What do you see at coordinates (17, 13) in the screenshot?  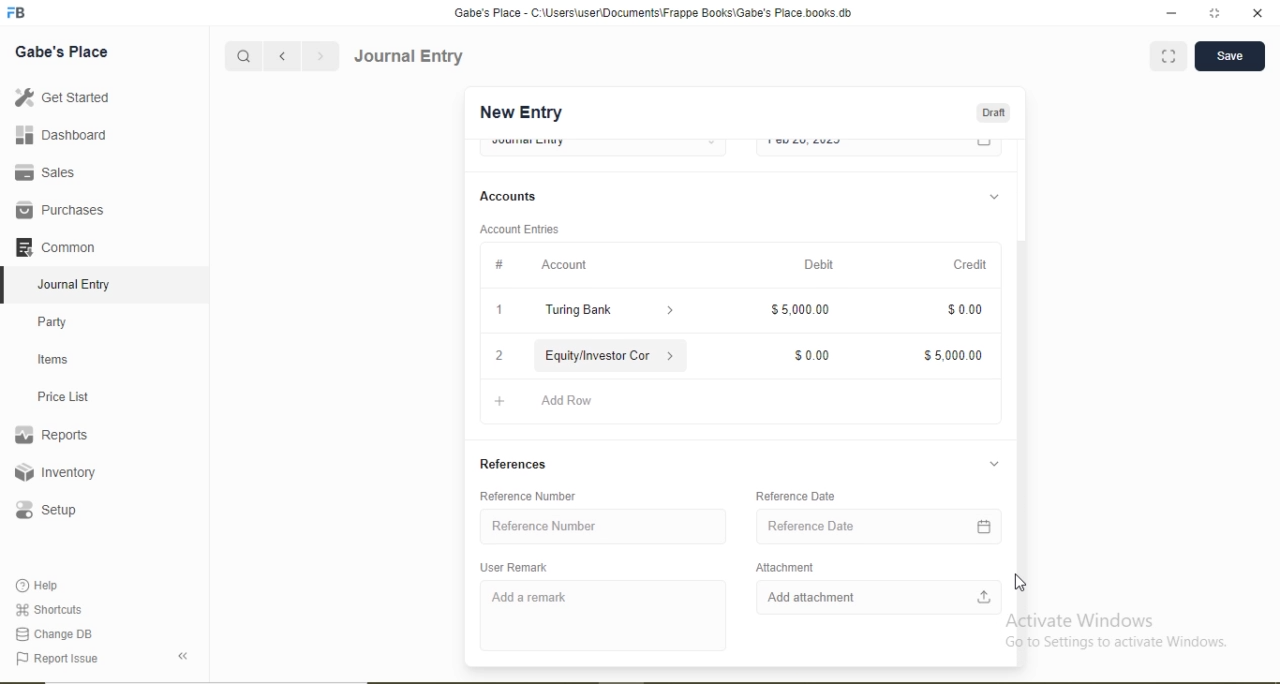 I see `Logo` at bounding box center [17, 13].